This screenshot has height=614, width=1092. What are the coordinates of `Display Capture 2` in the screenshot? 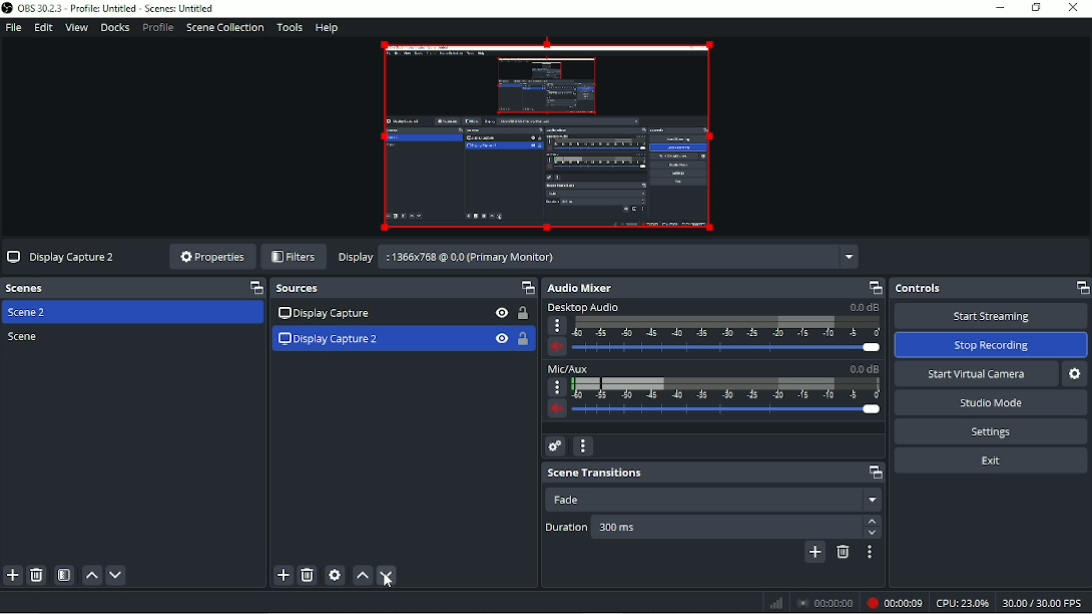 It's located at (328, 338).